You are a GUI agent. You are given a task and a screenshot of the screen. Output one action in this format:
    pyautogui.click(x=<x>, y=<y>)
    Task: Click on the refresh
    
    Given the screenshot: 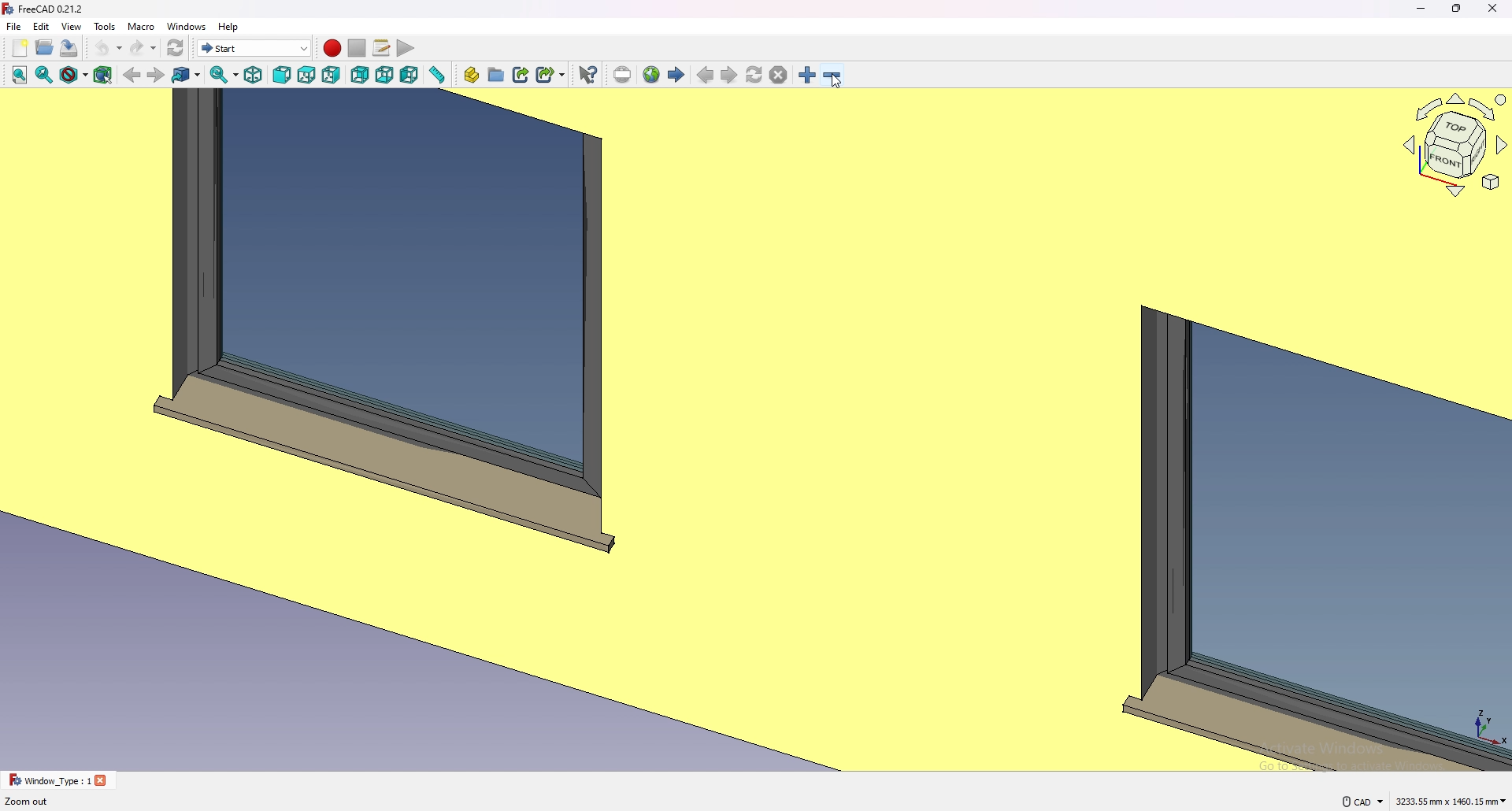 What is the action you would take?
    pyautogui.click(x=176, y=49)
    